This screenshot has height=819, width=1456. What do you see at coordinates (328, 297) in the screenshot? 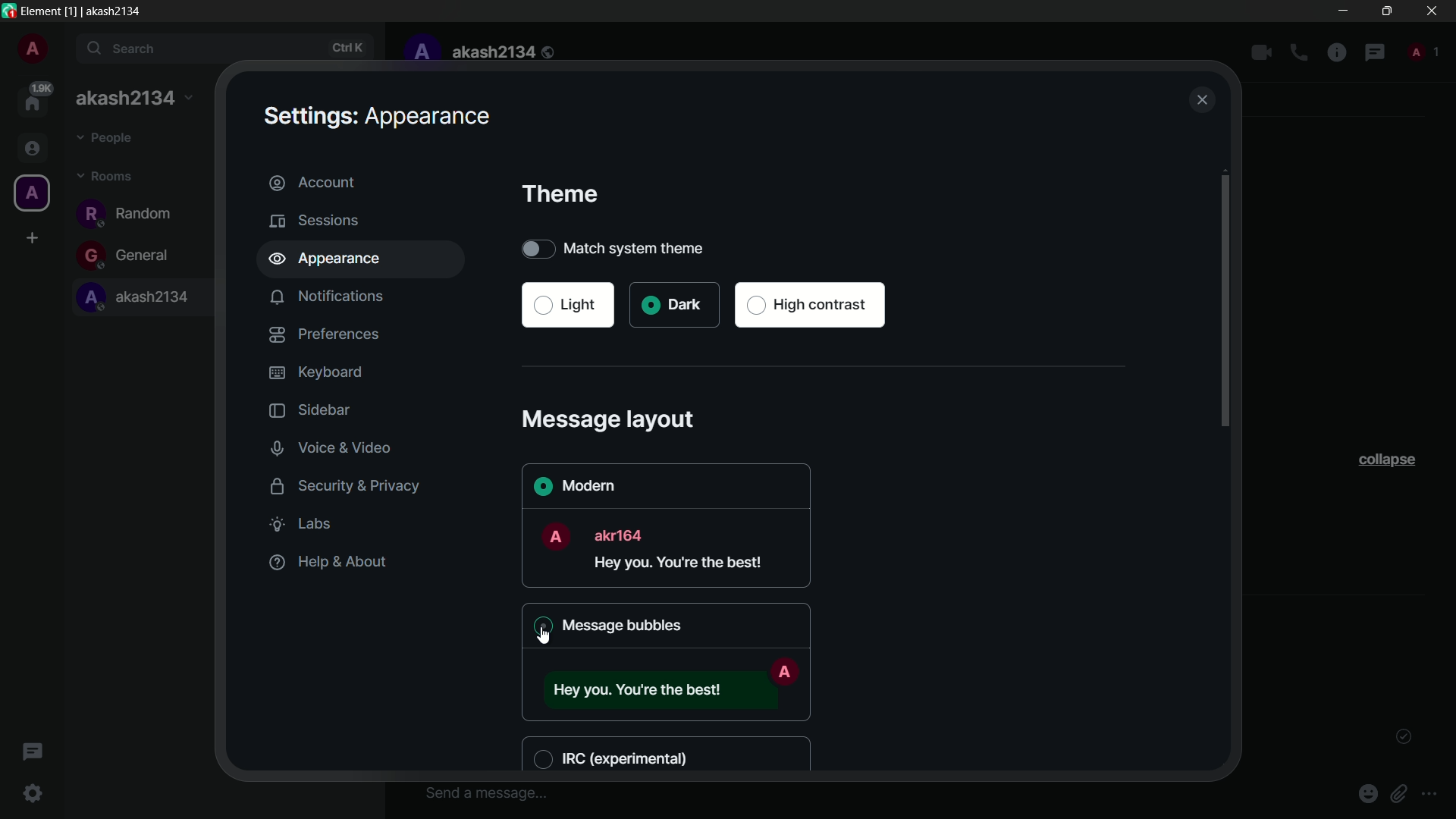
I see `notifications` at bounding box center [328, 297].